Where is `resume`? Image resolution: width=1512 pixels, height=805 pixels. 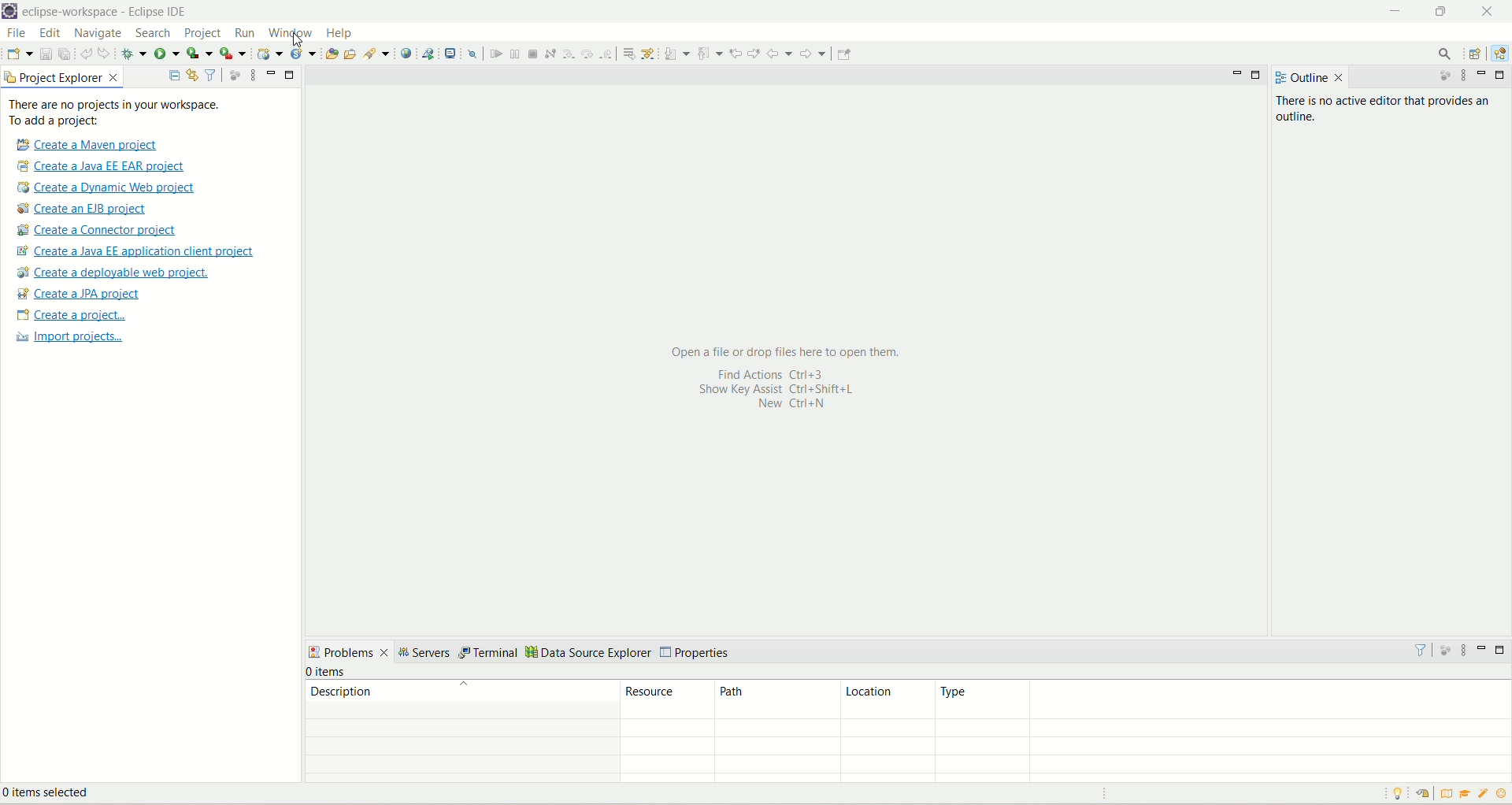 resume is located at coordinates (495, 54).